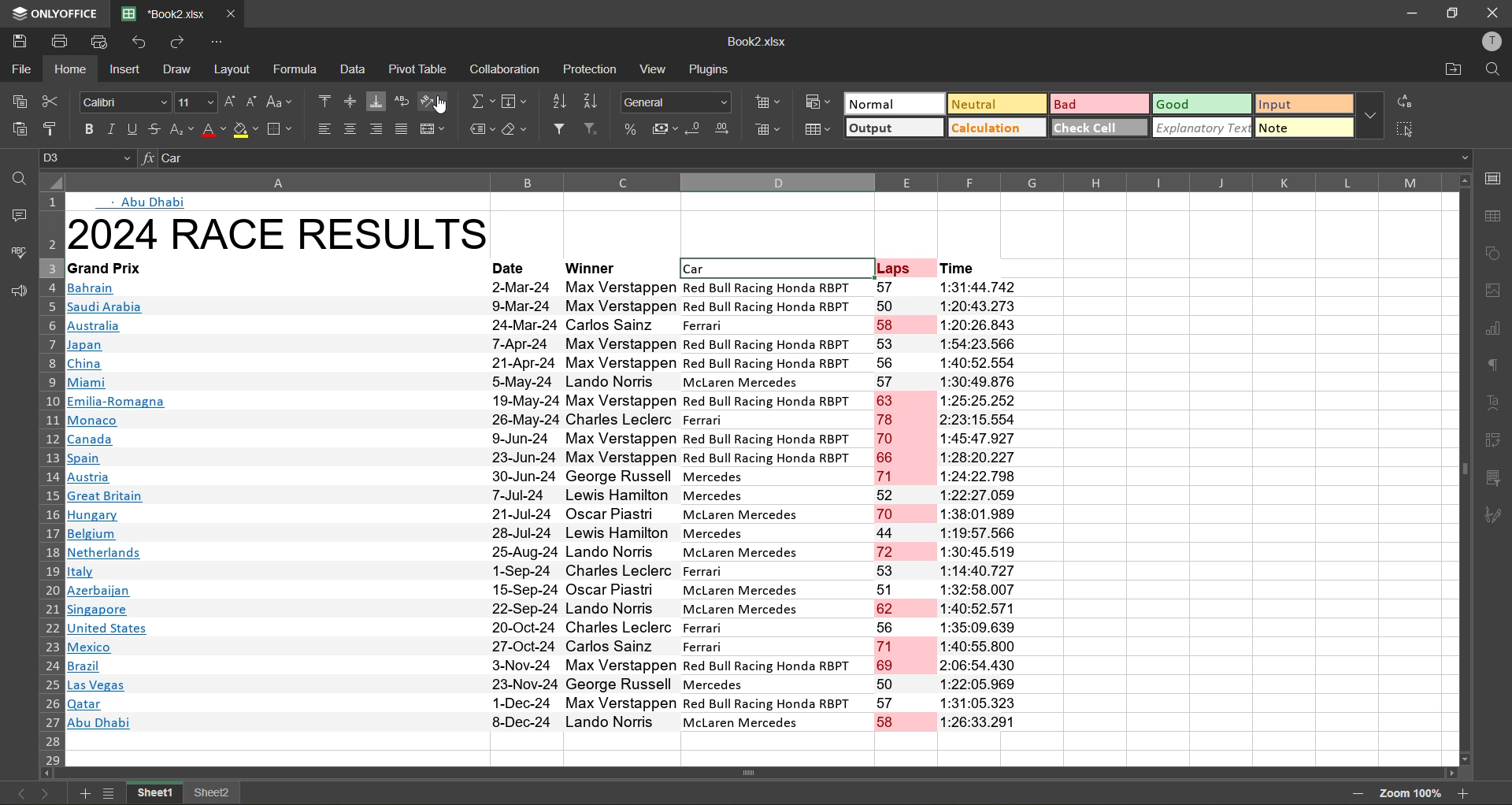 The image size is (1512, 805). Describe the element at coordinates (821, 103) in the screenshot. I see `conditional formatting` at that location.